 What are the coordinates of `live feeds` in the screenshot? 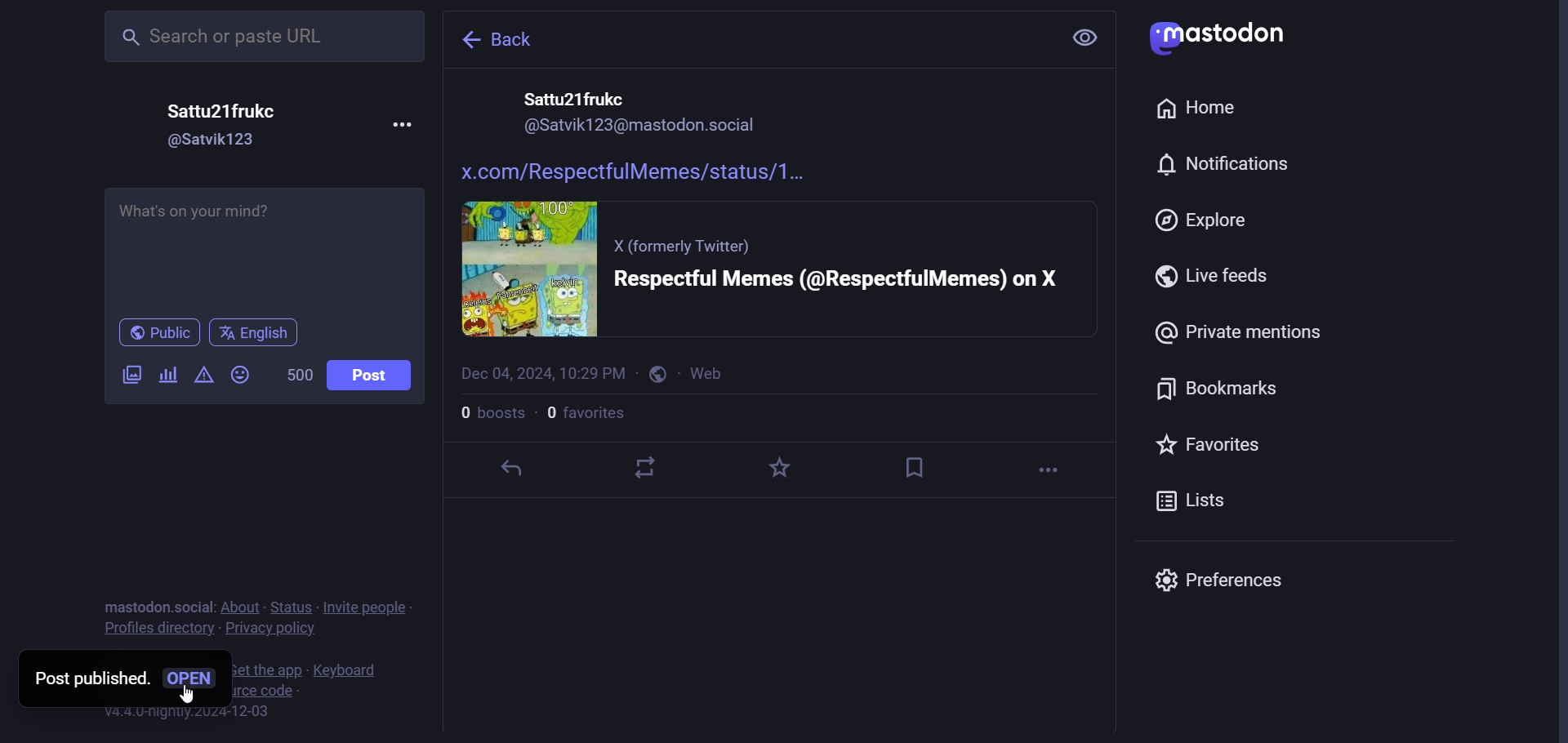 It's located at (1206, 276).